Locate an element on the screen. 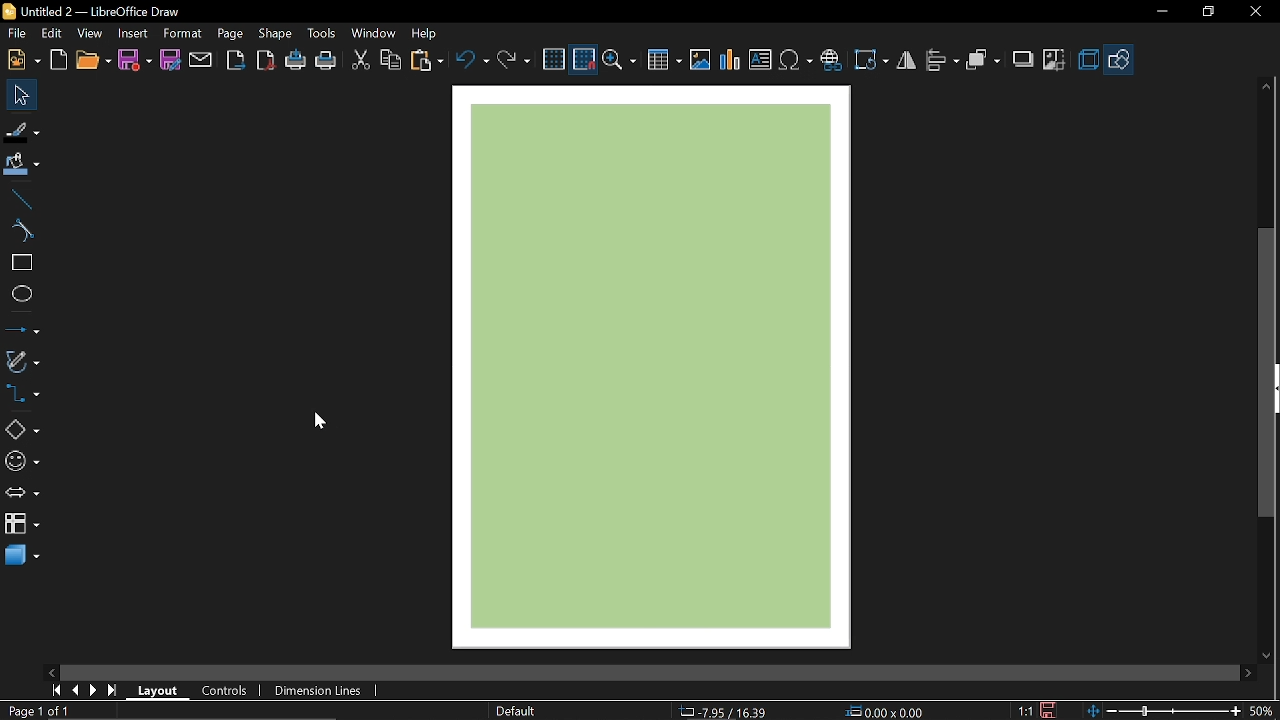 This screenshot has width=1280, height=720. Select is located at coordinates (22, 95).